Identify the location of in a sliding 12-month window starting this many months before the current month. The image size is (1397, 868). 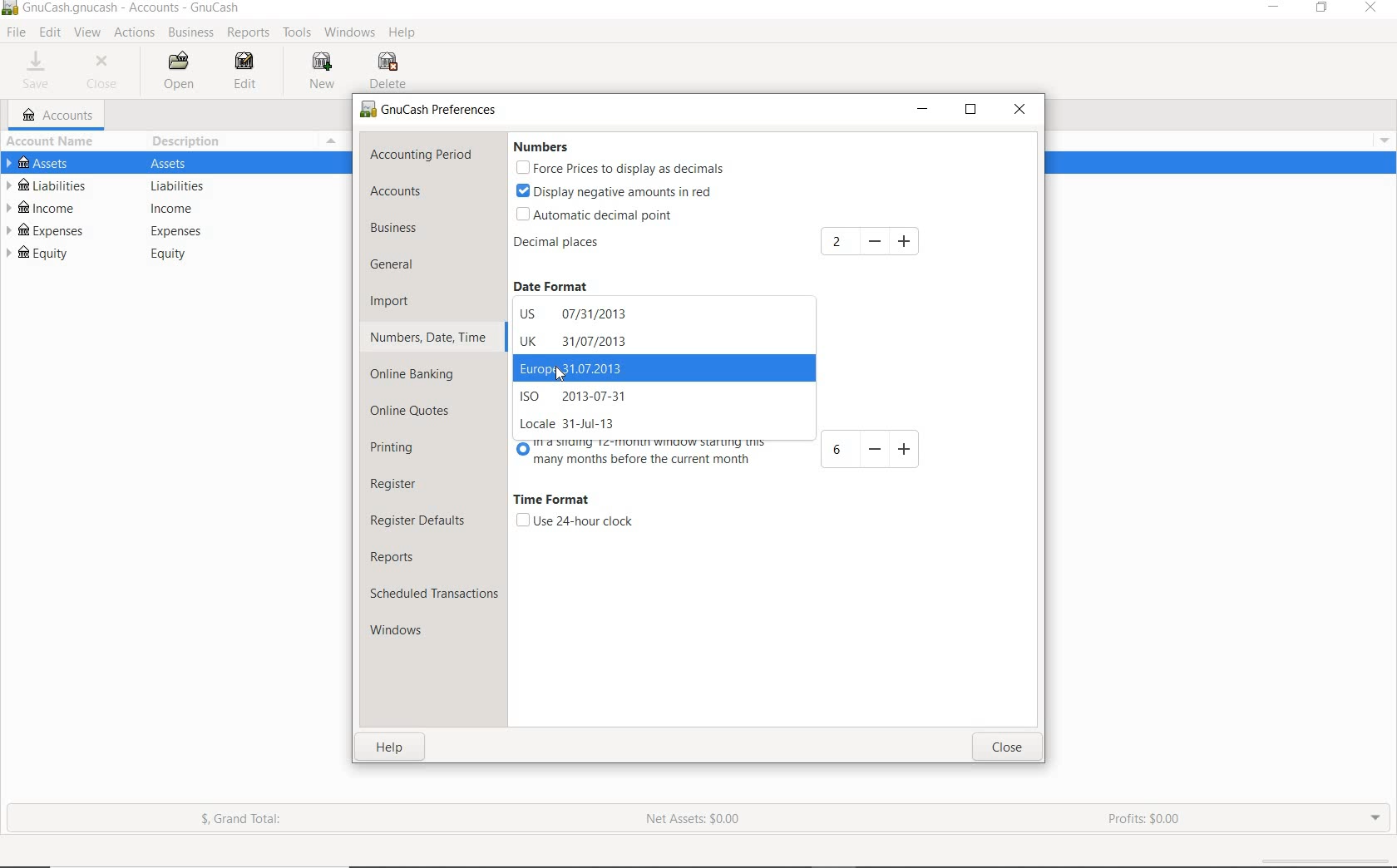
(723, 454).